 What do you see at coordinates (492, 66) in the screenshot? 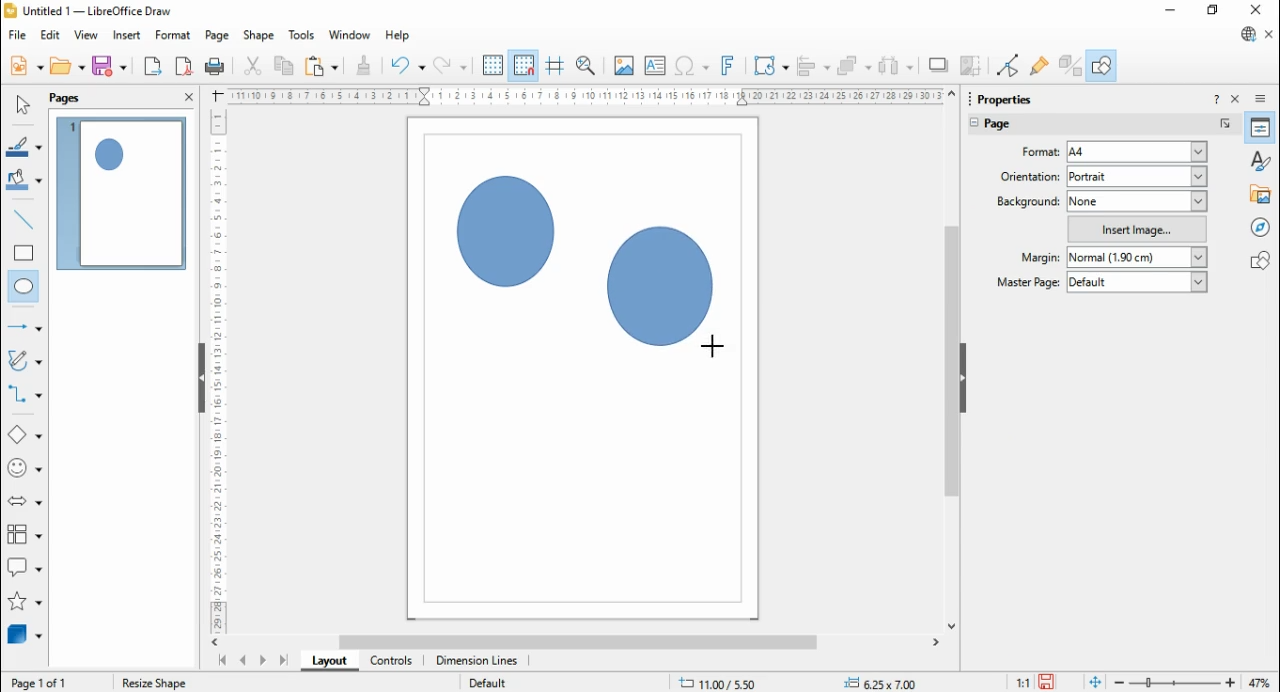
I see `display grid` at bounding box center [492, 66].